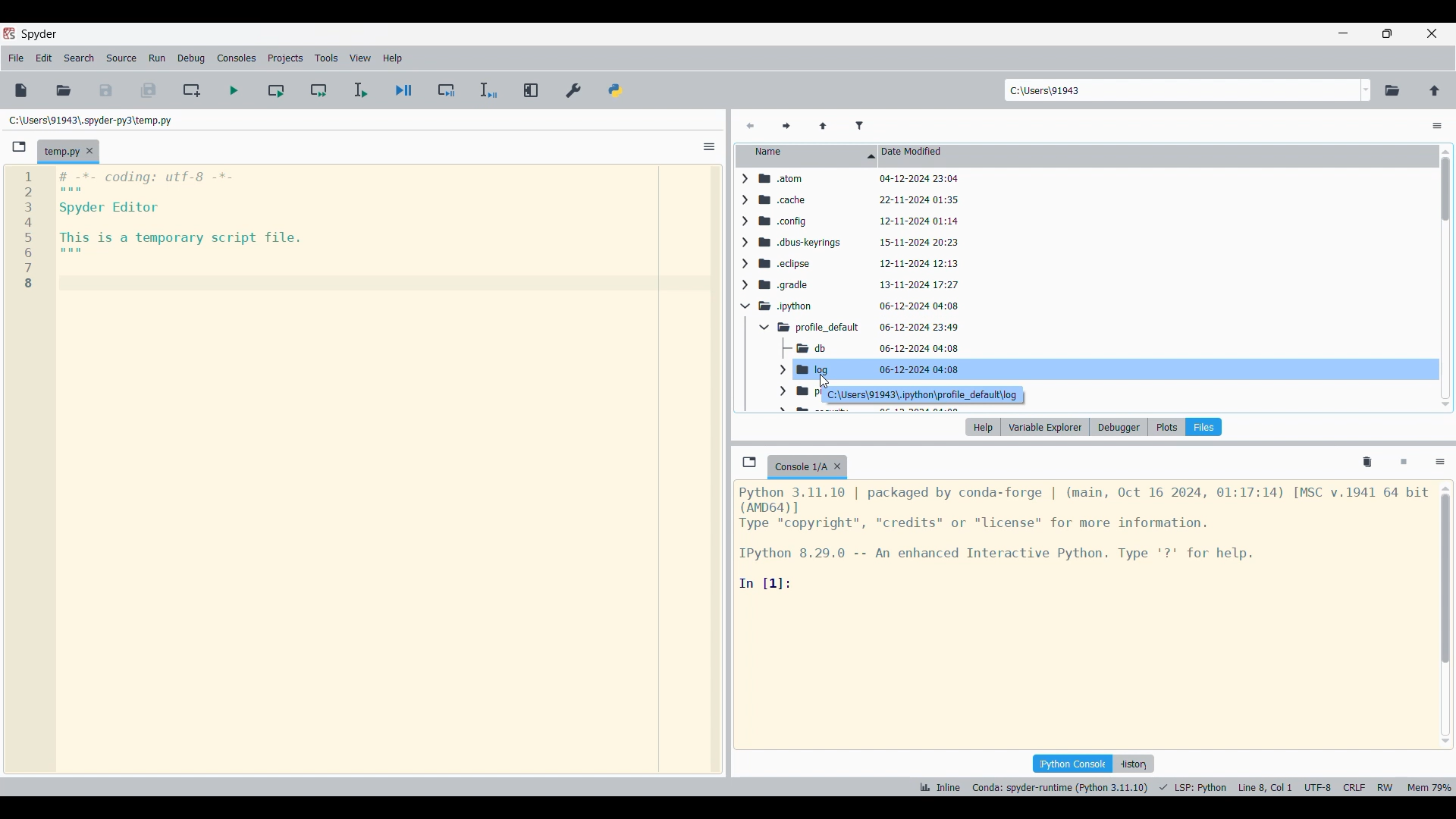 Image resolution: width=1456 pixels, height=819 pixels. What do you see at coordinates (106, 91) in the screenshot?
I see `Save file` at bounding box center [106, 91].